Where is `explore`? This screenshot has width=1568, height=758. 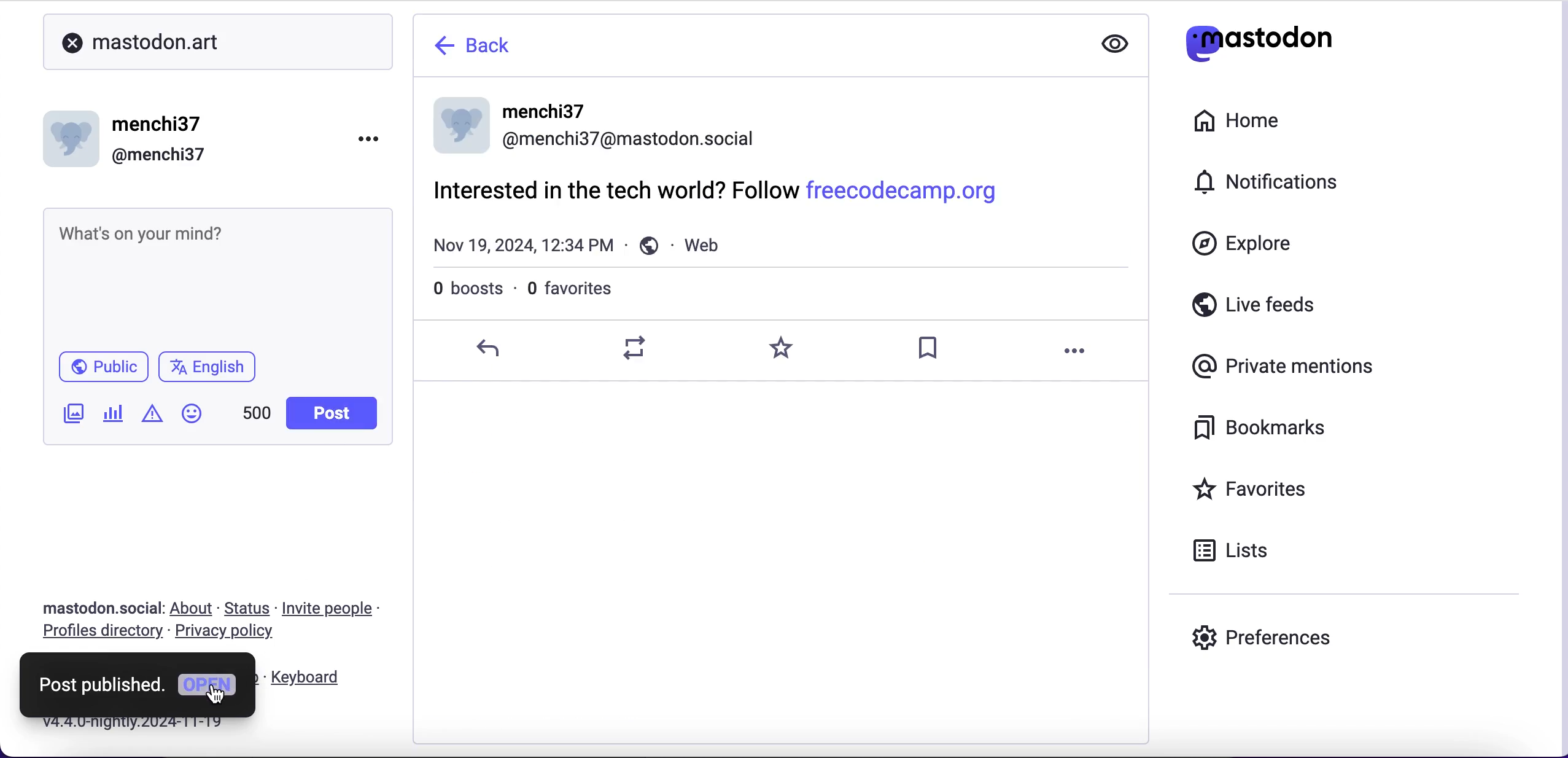 explore is located at coordinates (1241, 244).